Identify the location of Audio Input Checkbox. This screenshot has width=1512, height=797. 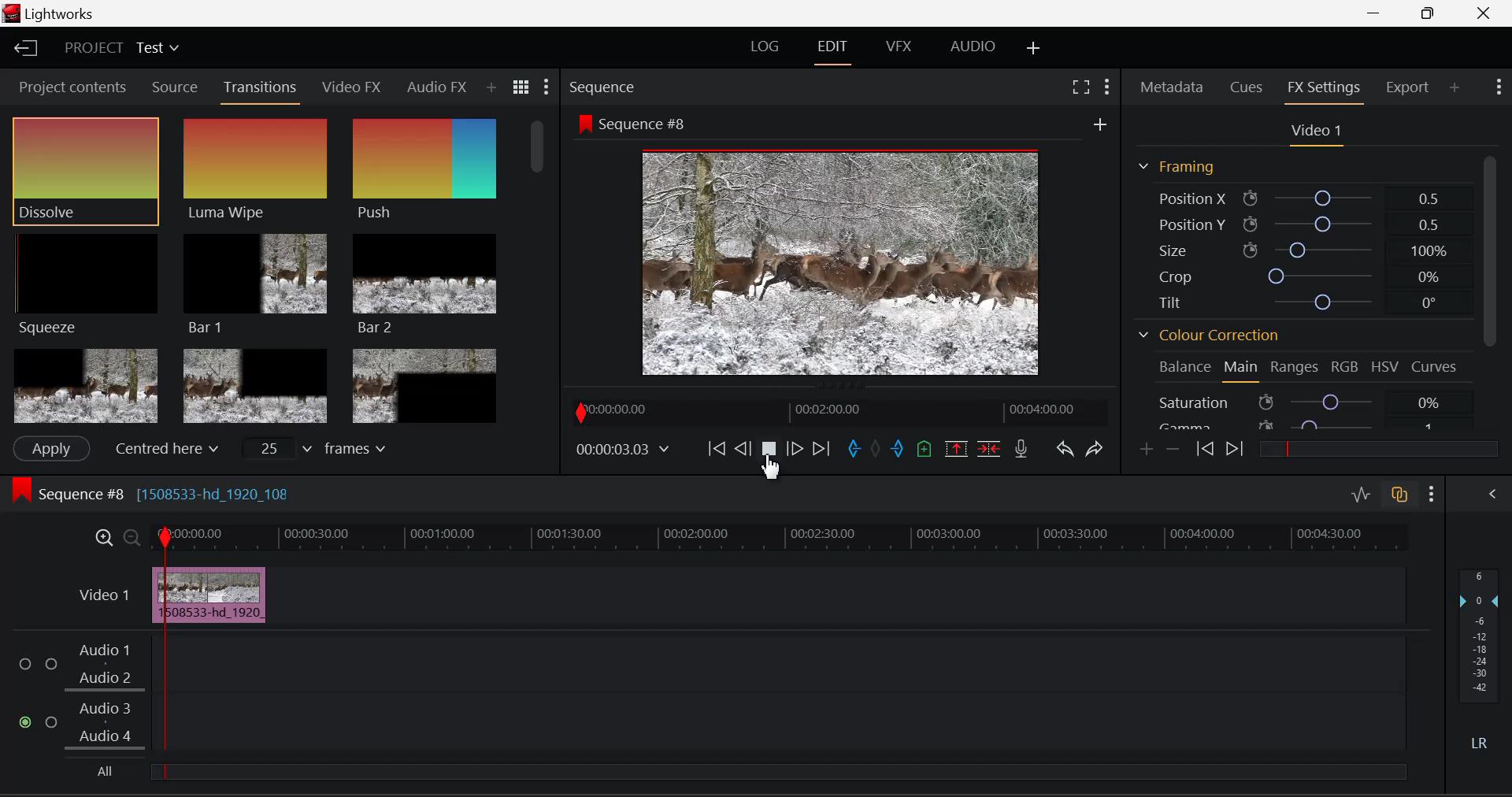
(27, 664).